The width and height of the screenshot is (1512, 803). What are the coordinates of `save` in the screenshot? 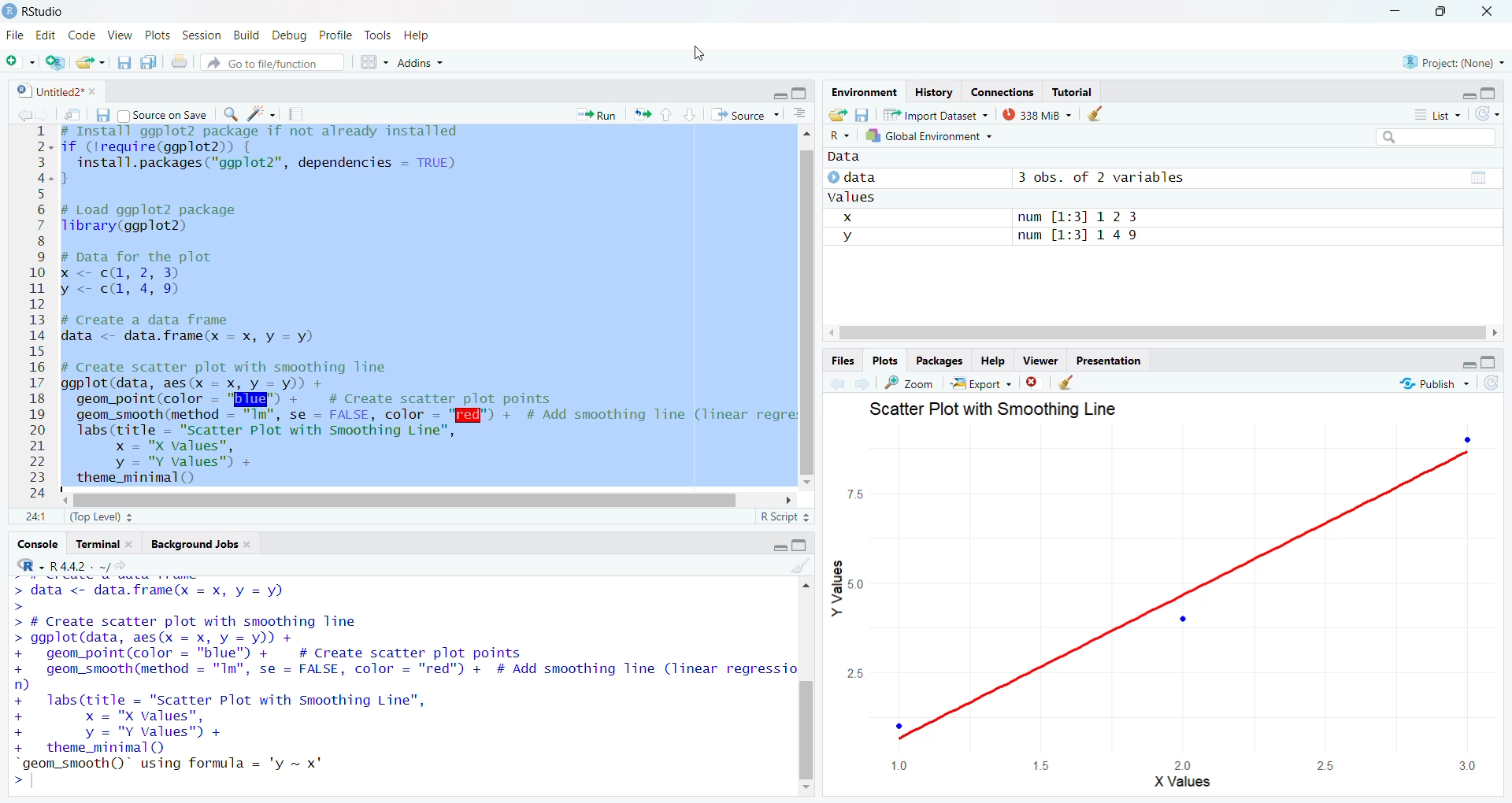 It's located at (862, 114).